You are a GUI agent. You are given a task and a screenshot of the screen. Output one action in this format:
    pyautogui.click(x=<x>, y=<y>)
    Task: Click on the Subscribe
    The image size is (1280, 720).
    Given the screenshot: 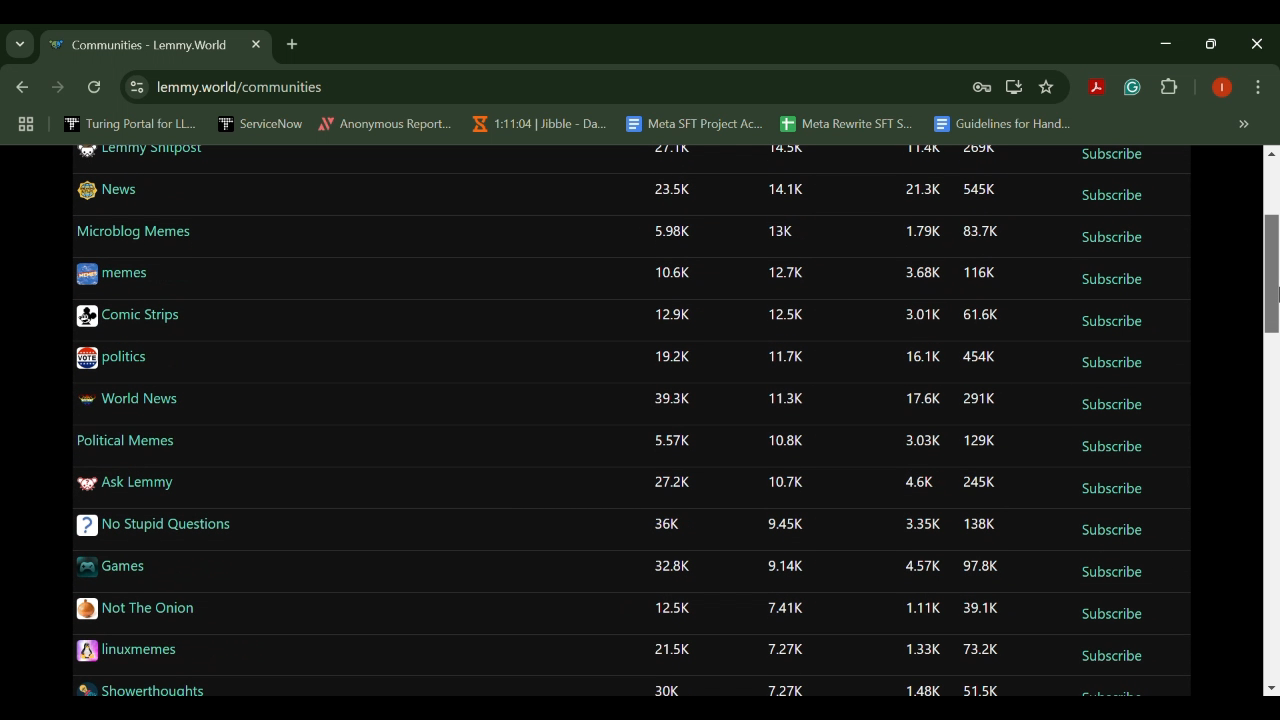 What is the action you would take?
    pyautogui.click(x=1110, y=530)
    